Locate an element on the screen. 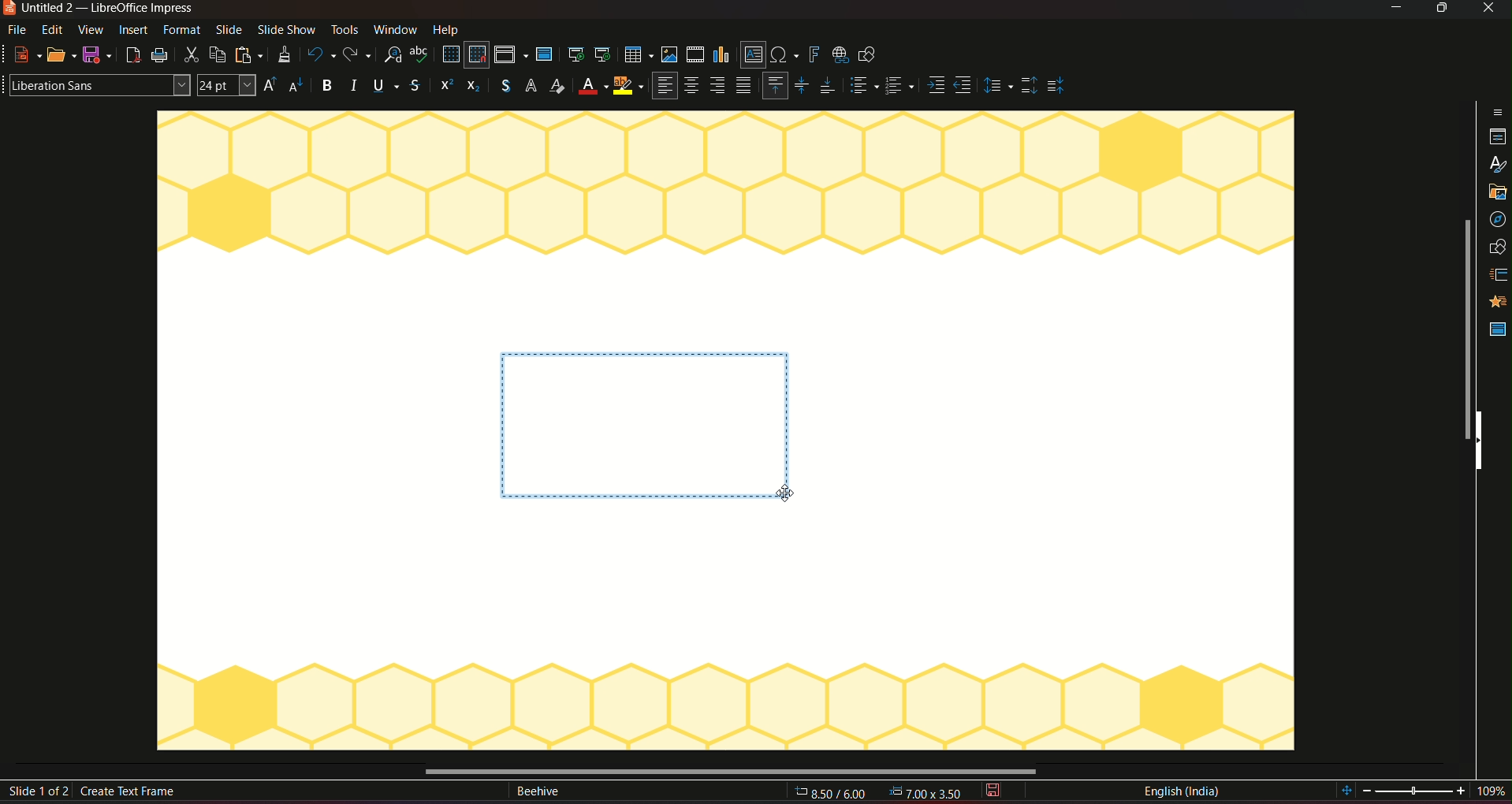  open is located at coordinates (62, 53).